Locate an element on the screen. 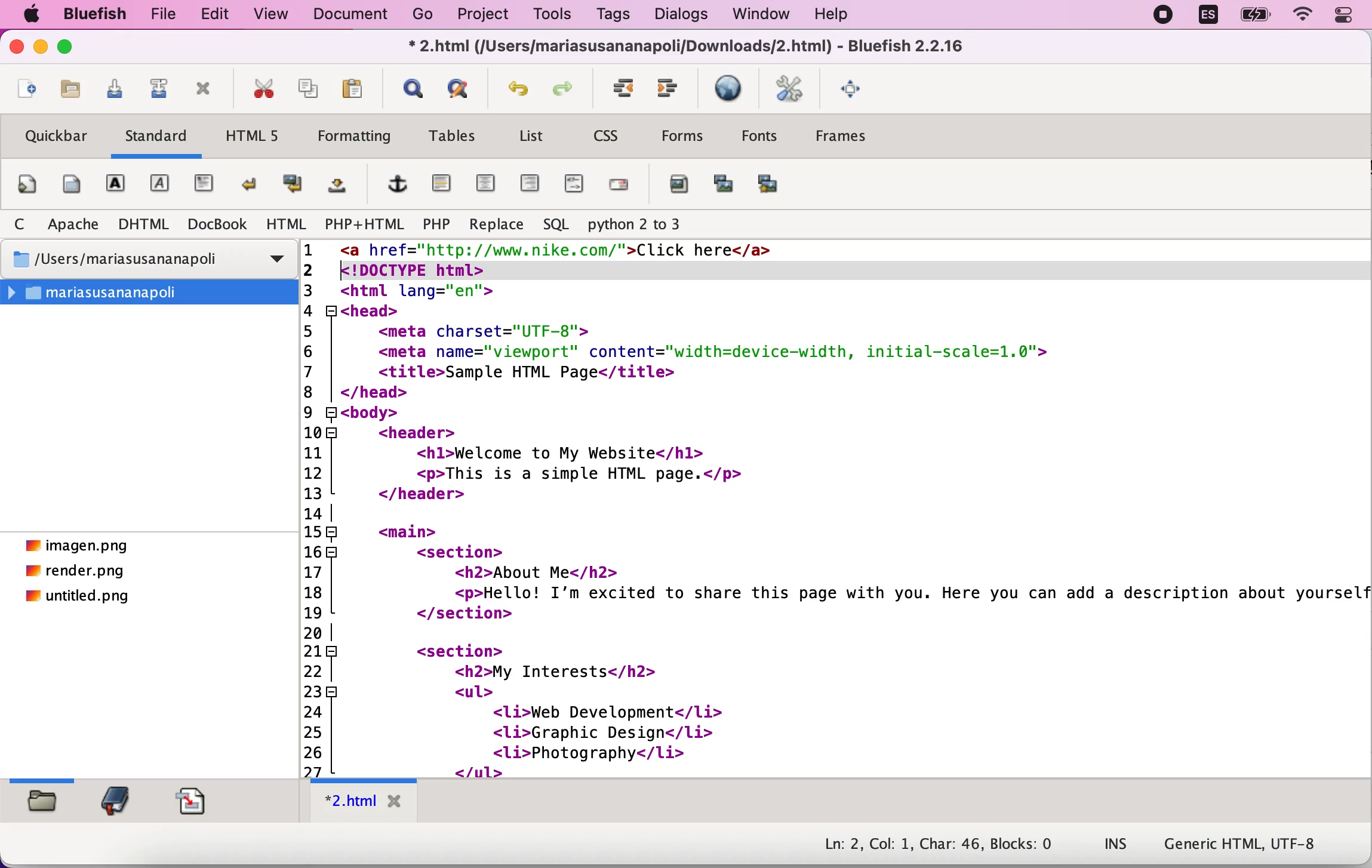 The width and height of the screenshot is (1372, 868). add image is located at coordinates (679, 190).